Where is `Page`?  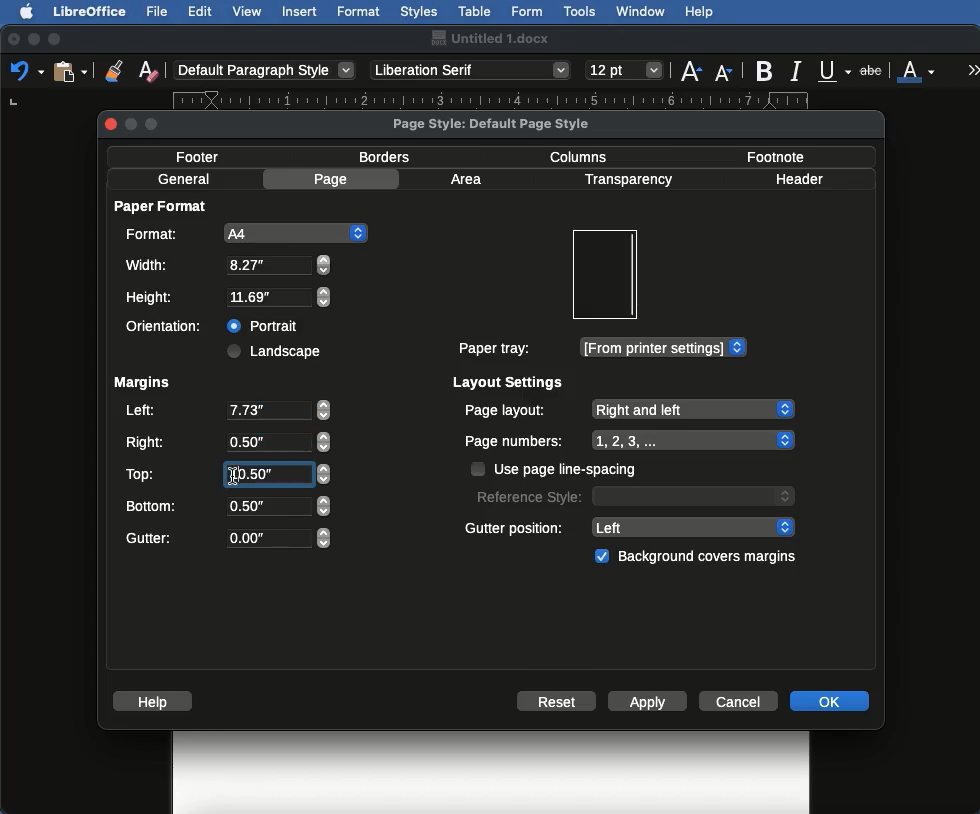
Page is located at coordinates (334, 179).